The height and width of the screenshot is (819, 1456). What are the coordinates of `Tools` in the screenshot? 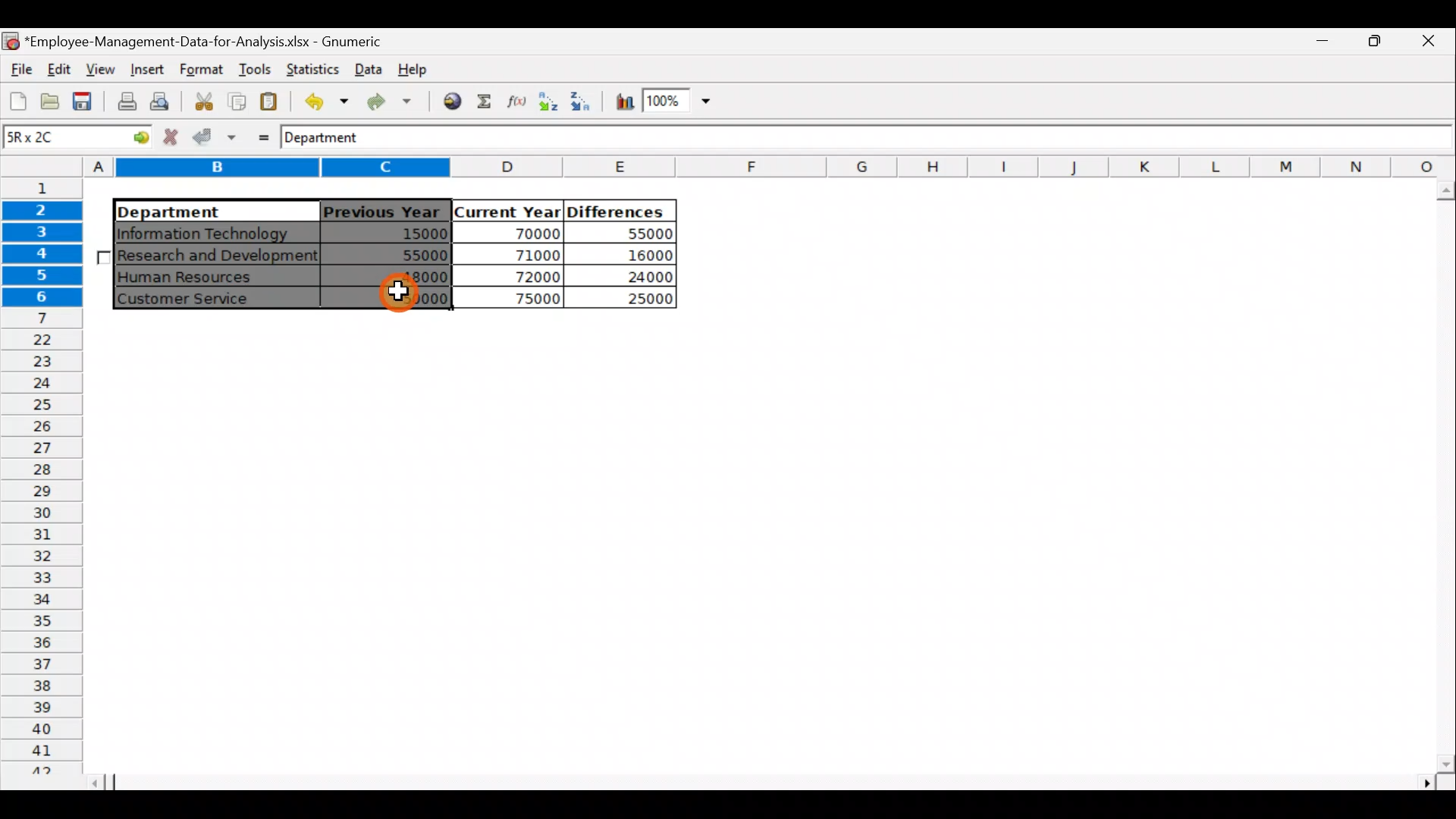 It's located at (251, 68).